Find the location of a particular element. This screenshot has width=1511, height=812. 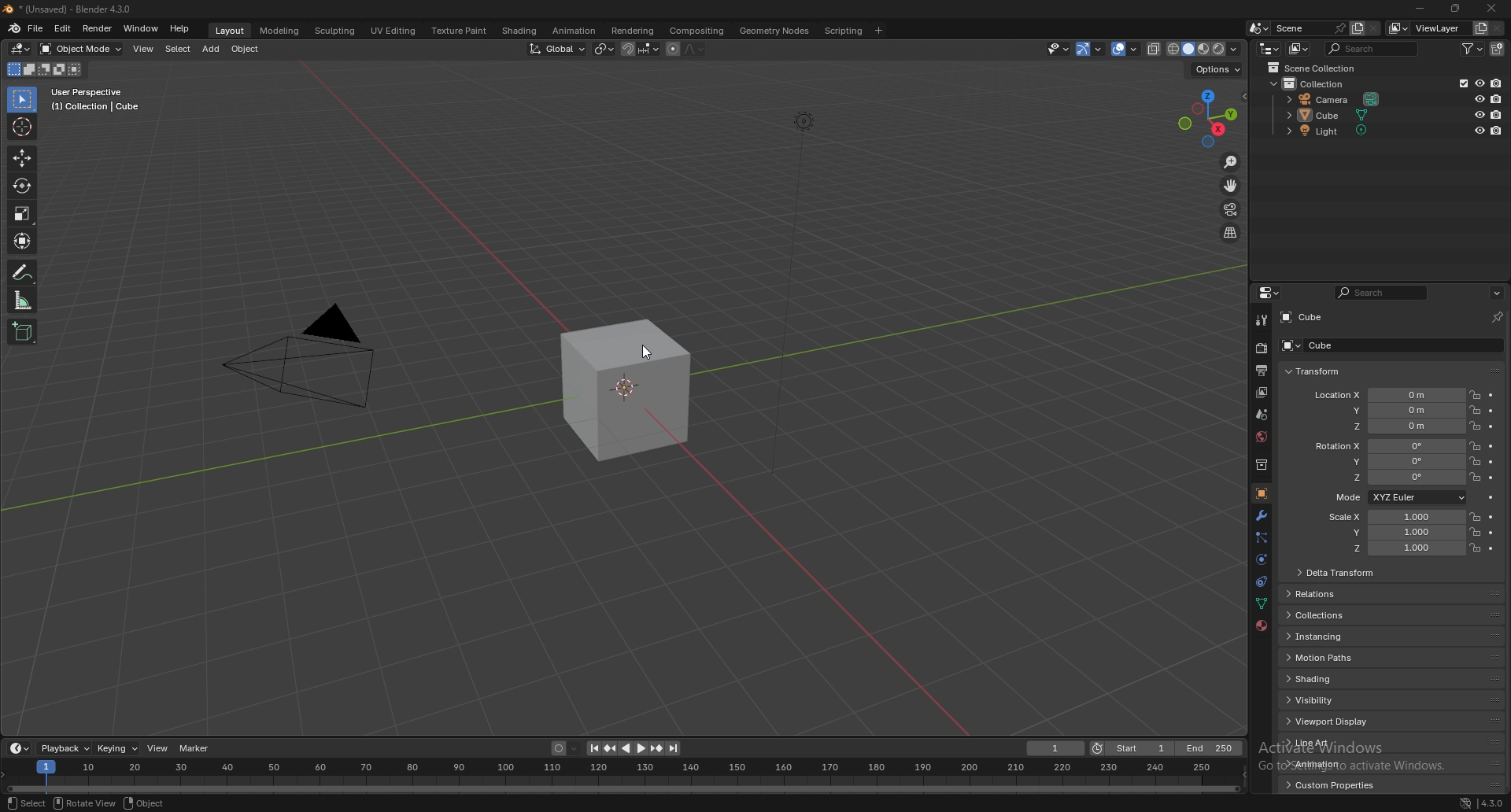

lock is located at coordinates (1474, 516).